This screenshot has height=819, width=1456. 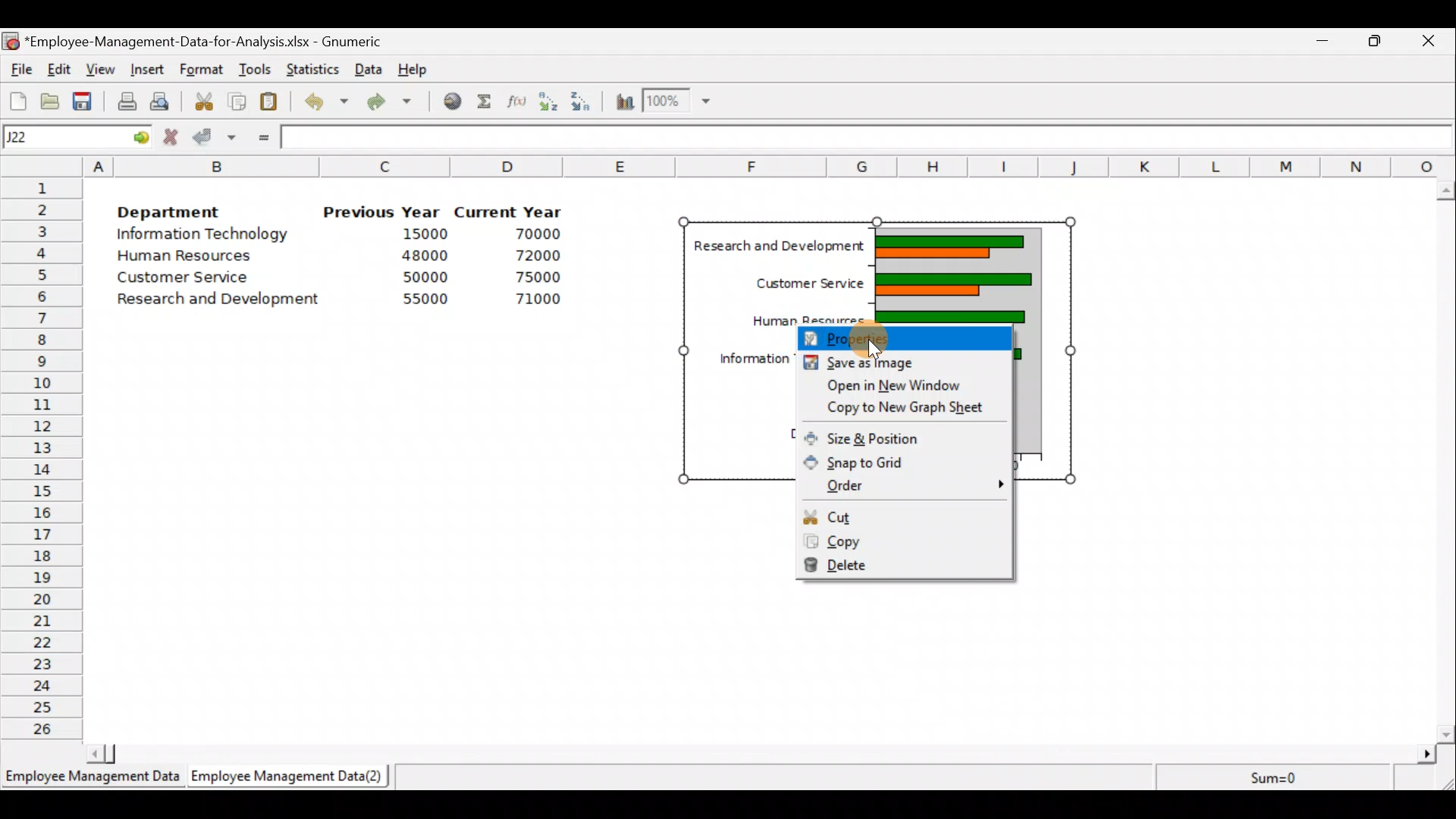 I want to click on Snap to grid, so click(x=861, y=462).